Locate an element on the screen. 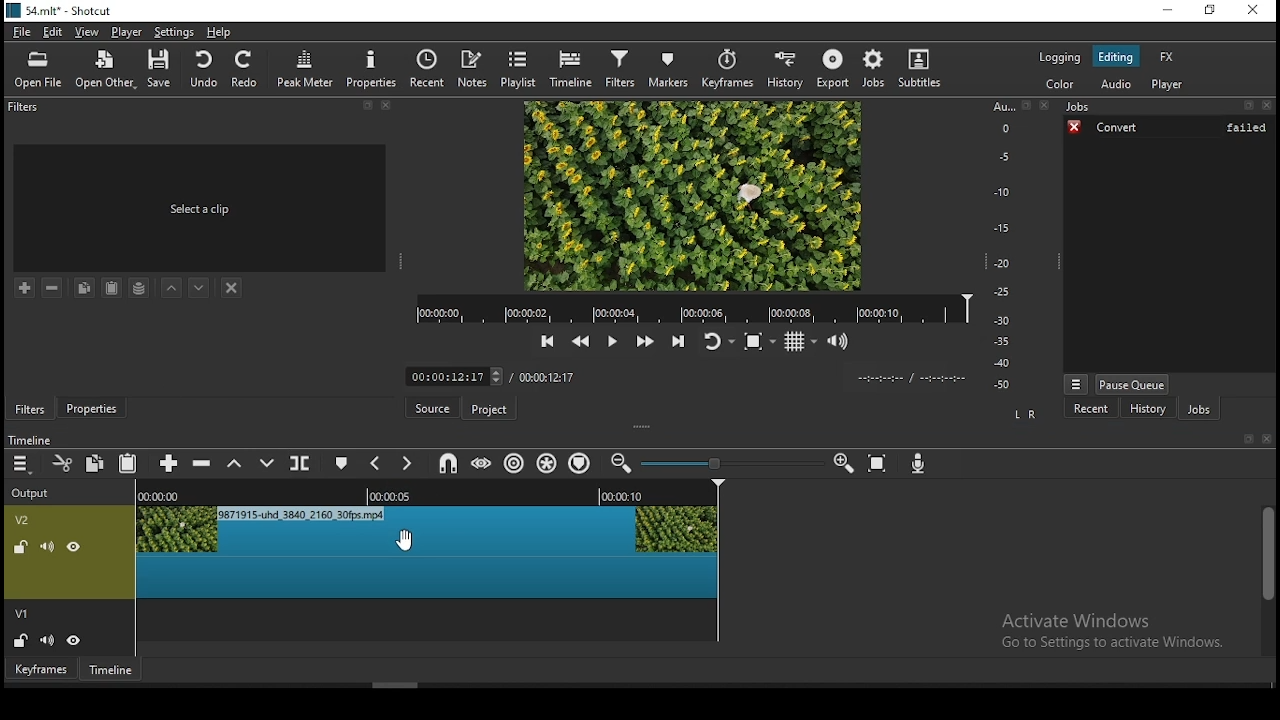 The width and height of the screenshot is (1280, 720). skip to the next point is located at coordinates (682, 343).